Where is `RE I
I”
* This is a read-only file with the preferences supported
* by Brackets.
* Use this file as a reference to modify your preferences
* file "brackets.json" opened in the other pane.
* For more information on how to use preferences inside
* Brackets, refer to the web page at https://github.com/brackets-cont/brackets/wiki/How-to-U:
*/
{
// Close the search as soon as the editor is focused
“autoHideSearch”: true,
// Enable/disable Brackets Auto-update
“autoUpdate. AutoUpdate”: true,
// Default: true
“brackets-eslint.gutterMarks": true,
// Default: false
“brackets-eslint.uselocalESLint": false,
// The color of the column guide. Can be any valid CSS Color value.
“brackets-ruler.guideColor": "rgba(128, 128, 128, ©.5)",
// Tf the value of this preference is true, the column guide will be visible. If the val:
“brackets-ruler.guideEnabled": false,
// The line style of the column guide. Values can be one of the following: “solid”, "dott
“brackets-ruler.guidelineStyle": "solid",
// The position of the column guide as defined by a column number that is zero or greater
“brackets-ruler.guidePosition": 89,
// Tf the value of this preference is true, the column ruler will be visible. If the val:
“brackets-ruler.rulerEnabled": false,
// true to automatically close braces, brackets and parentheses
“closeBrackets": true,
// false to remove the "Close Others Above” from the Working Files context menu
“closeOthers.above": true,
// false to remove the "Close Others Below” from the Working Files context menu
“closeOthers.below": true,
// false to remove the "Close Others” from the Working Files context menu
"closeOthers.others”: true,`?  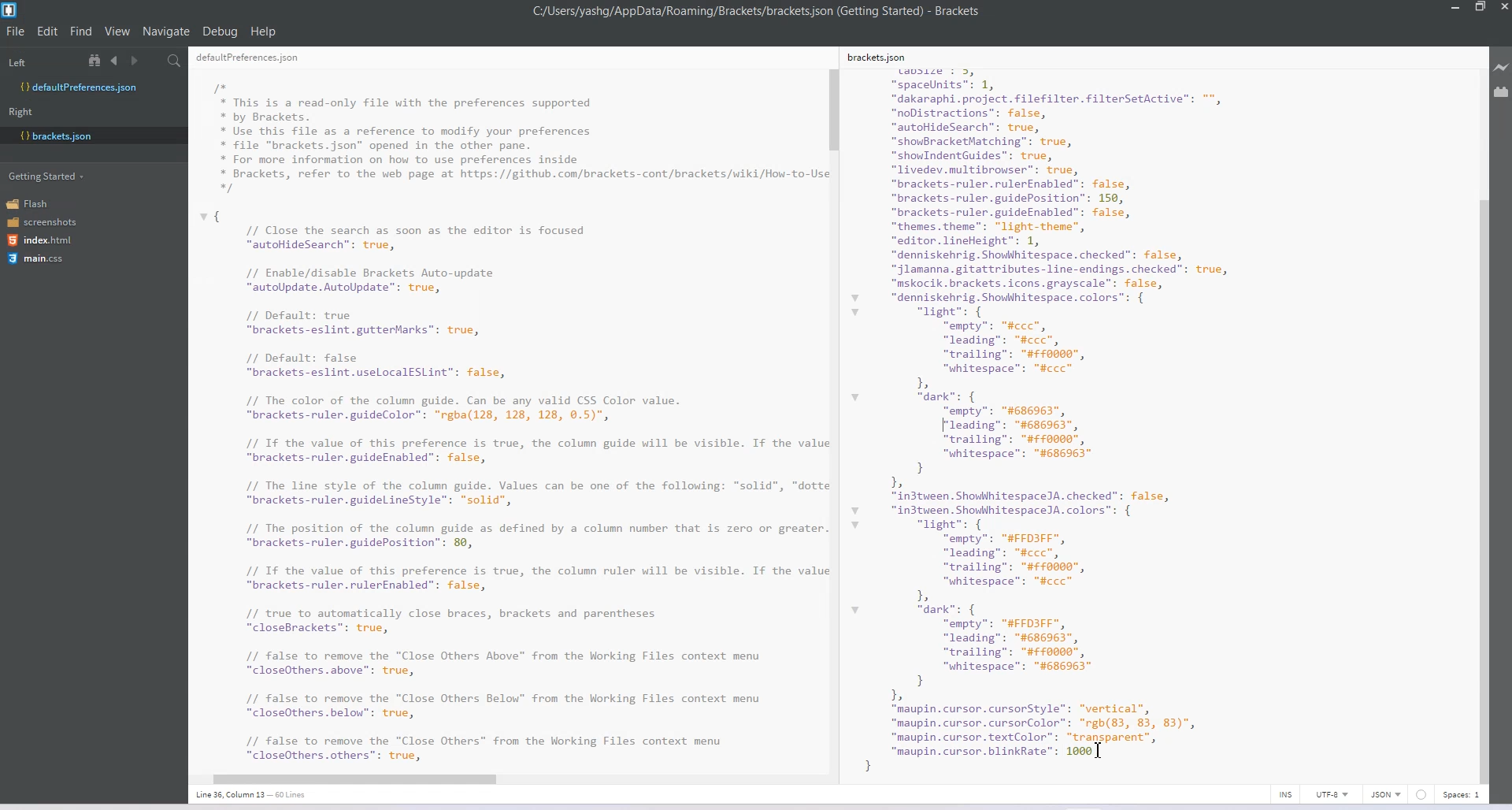 RE I
I”
* This is a read-only file with the preferences supported
* by Brackets.
* Use this file as a reference to modify your preferences
* file "brackets.json" opened in the other pane.
* For more information on how to use preferences inside
* Brackets, refer to the web page at https://github.com/brackets-cont/brackets/wiki/How-to-U:
*/
{
// Close the search as soon as the editor is focused
“autoHideSearch”: true,
// Enable/disable Brackets Auto-update
“autoUpdate. AutoUpdate”: true,
// Default: true
“brackets-eslint.gutterMarks": true,
// Default: false
“brackets-eslint.uselocalESLint": false,
// The color of the column guide. Can be any valid CSS Color value.
“brackets-ruler.guideColor": "rgba(128, 128, 128, ©.5)",
// Tf the value of this preference is true, the column guide will be visible. If the val:
“brackets-ruler.guideEnabled": false,
// The line style of the column guide. Values can be one of the following: “solid”, "dott
“brackets-ruler.guidelineStyle": "solid",
// The position of the column guide as defined by a column number that is zero or greater
“brackets-ruler.guidePosition": 89,
// Tf the value of this preference is true, the column ruler will be visible. If the val:
“brackets-ruler.rulerEnabled": false,
// true to automatically close braces, brackets and parentheses
“closeBrackets": true,
// false to remove the "Close Others Above” from the Working Files context menu
“closeOthers.above": true,
// false to remove the "Close Others Below” from the Working Files context menu
“closeOthers.below": true,
// false to remove the "Close Others” from the Working Files context menu
"closeOthers.others”: true, is located at coordinates (507, 408).